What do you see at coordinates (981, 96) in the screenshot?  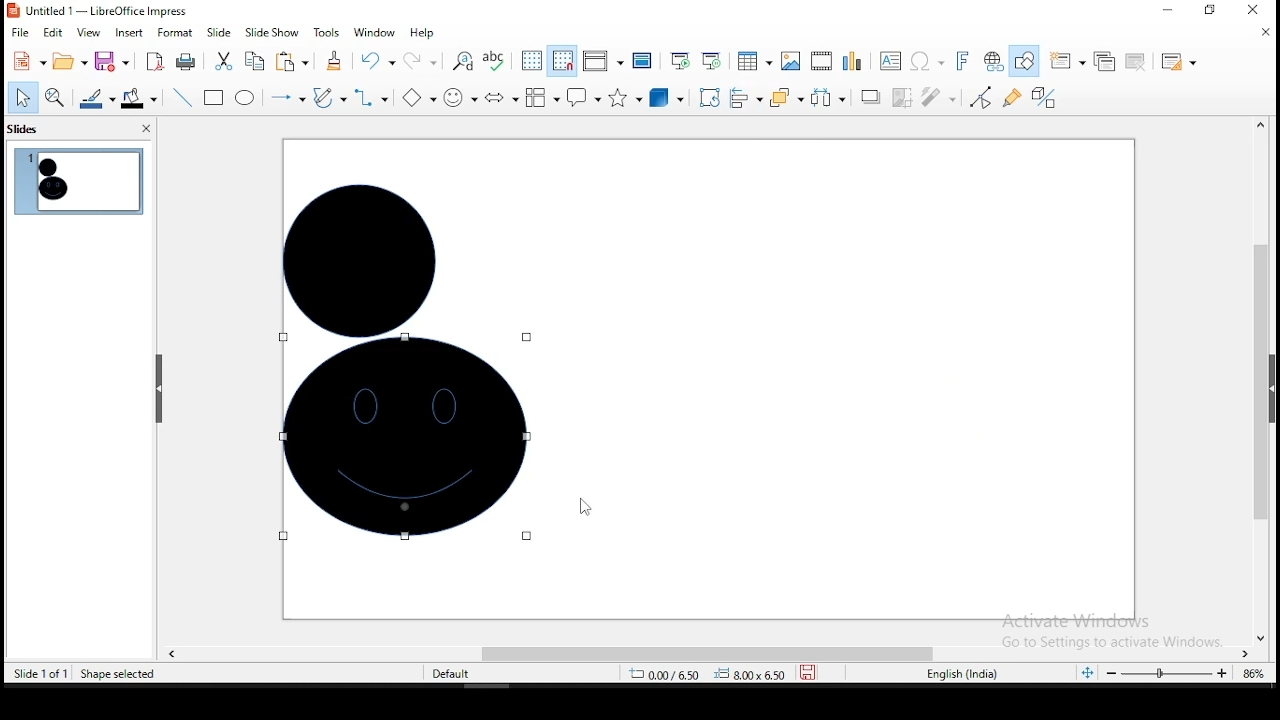 I see `toggle point edit mode` at bounding box center [981, 96].